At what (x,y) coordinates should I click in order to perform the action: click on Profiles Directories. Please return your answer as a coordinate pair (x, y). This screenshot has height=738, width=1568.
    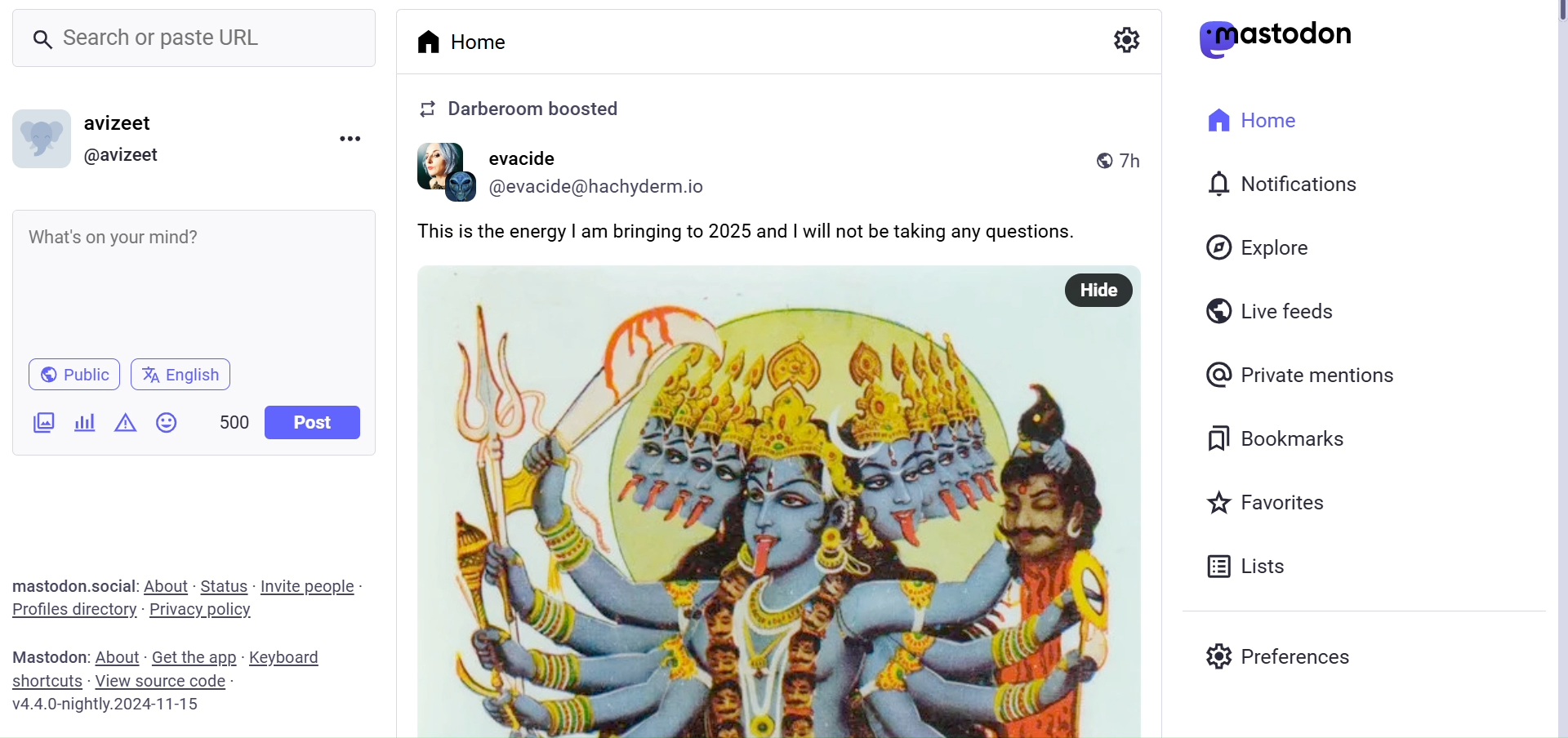
    Looking at the image, I should click on (73, 612).